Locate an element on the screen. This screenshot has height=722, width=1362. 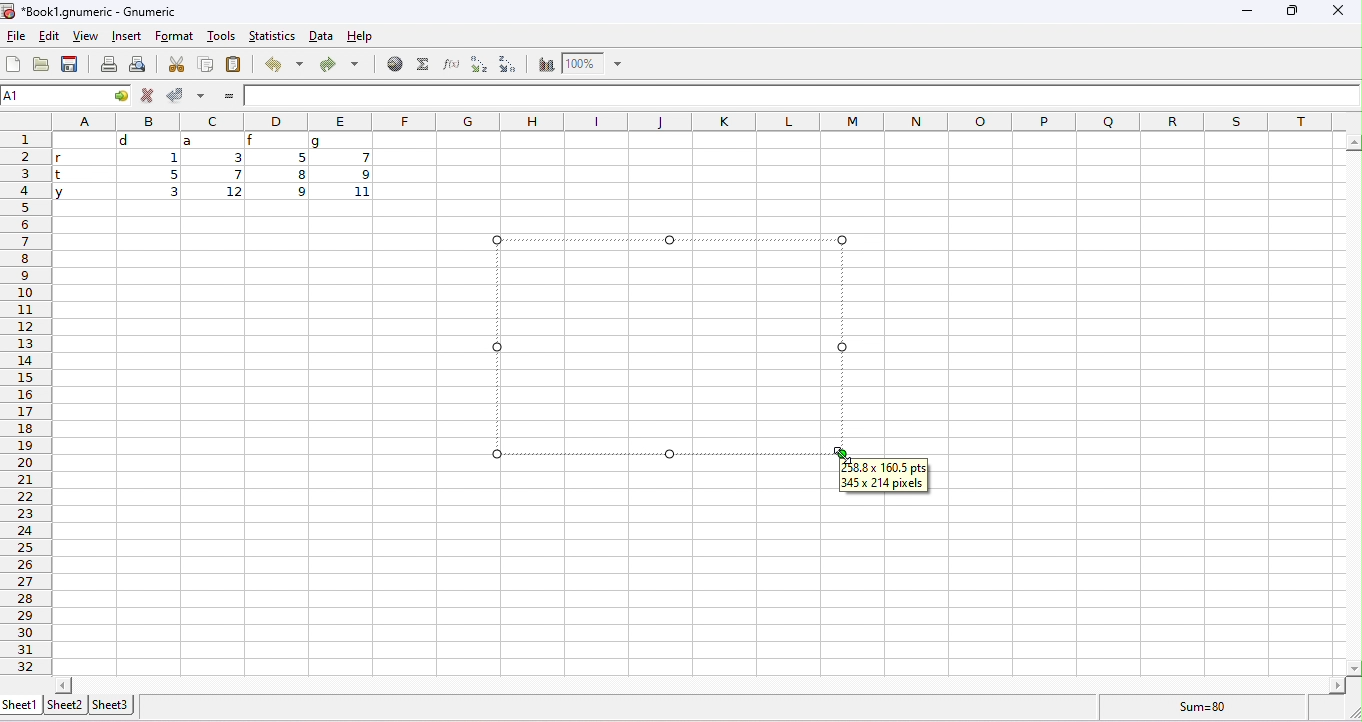
view is located at coordinates (85, 36).